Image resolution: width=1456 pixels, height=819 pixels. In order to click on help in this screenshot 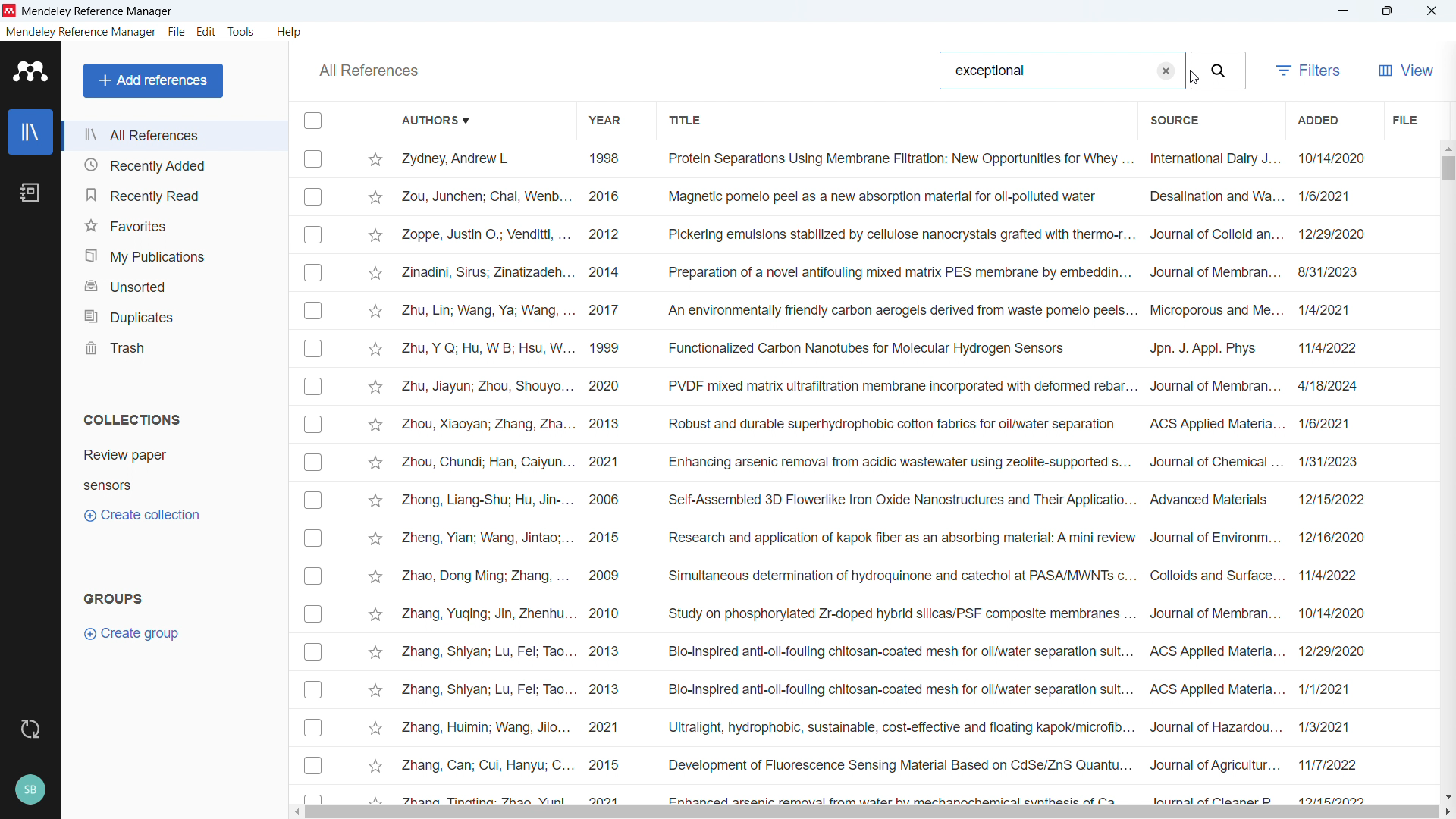, I will do `click(290, 31)`.